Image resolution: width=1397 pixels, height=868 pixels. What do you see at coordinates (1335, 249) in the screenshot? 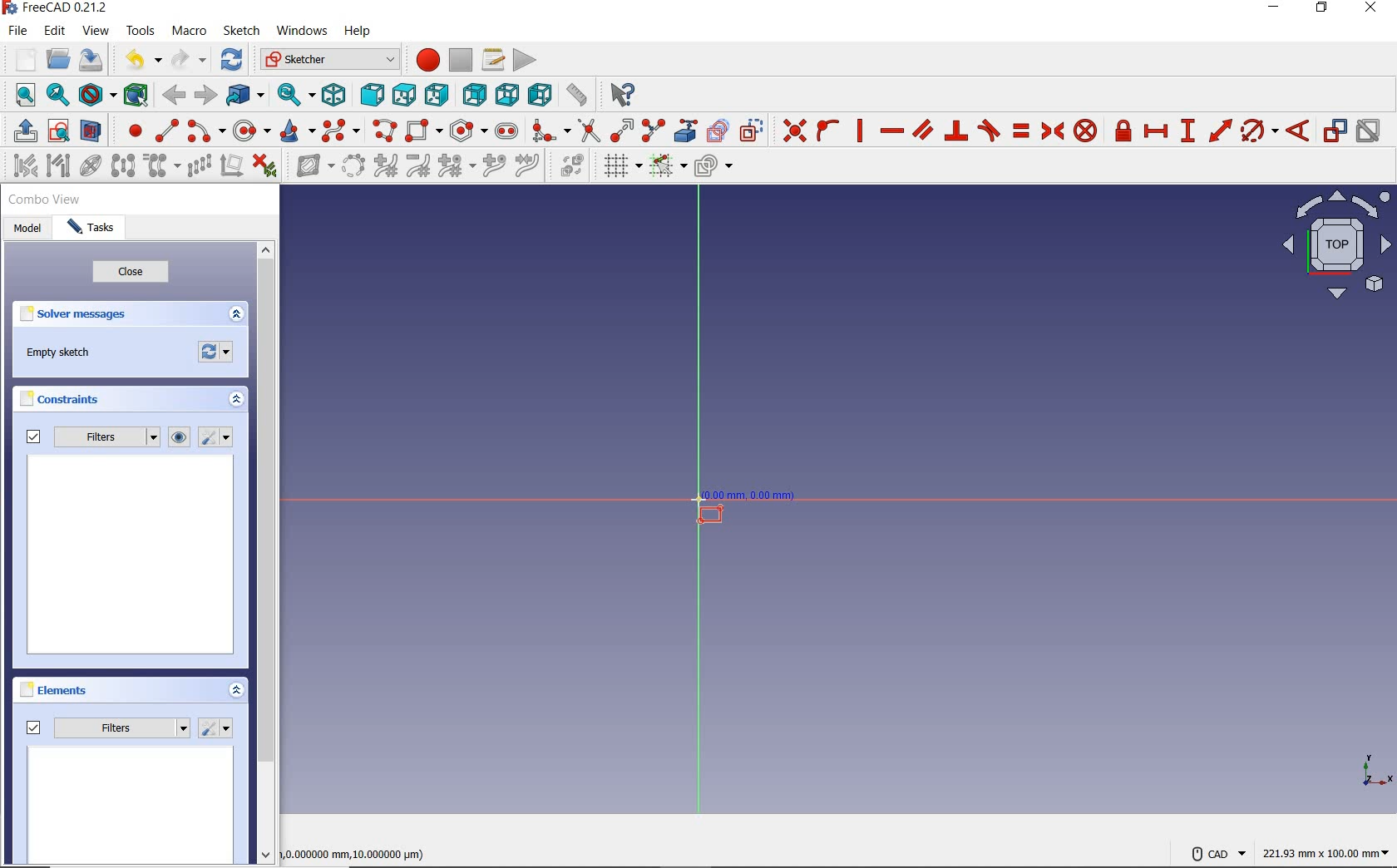
I see `top view` at bounding box center [1335, 249].